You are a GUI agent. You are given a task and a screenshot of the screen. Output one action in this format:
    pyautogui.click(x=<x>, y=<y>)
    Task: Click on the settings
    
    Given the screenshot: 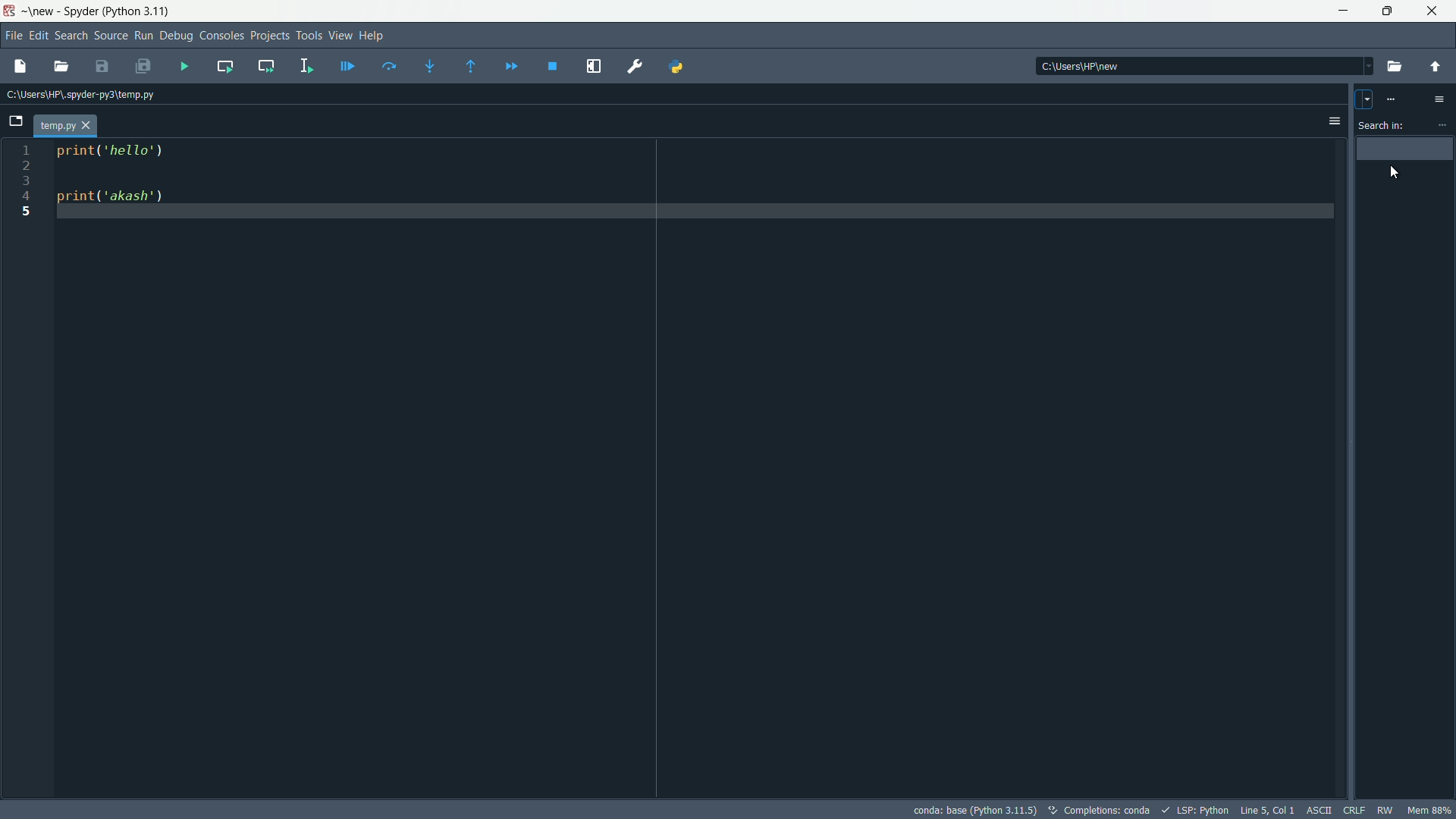 What is the action you would take?
    pyautogui.click(x=1441, y=125)
    